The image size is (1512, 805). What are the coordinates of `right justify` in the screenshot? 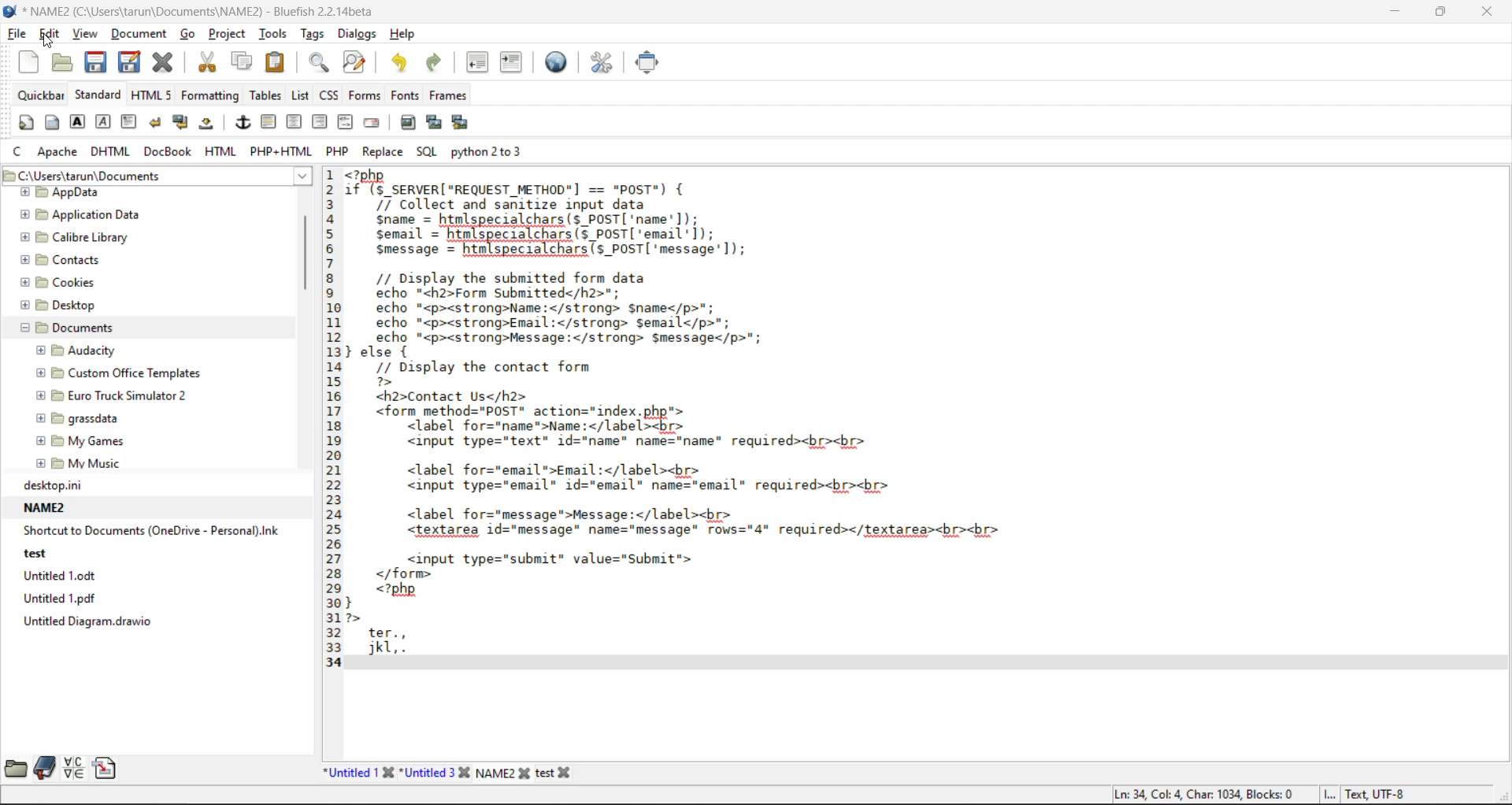 It's located at (319, 122).